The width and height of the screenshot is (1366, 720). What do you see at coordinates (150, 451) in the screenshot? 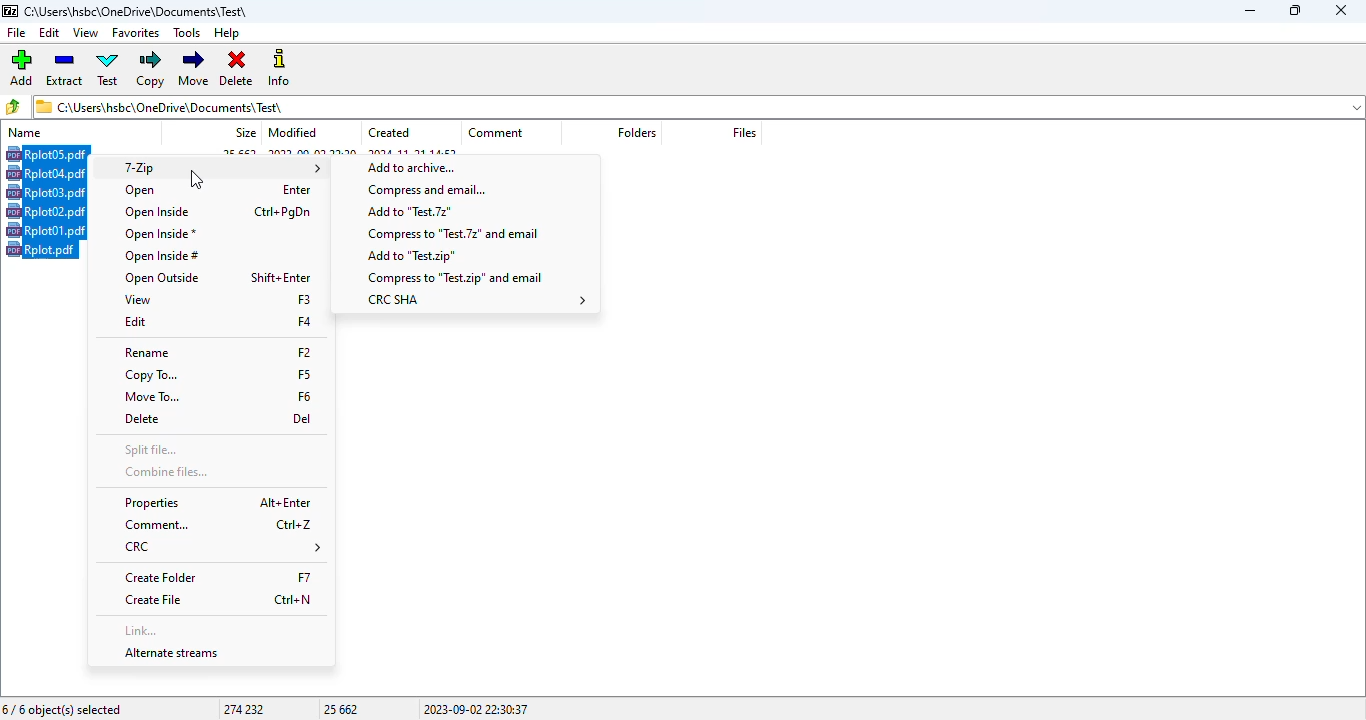
I see `split file` at bounding box center [150, 451].